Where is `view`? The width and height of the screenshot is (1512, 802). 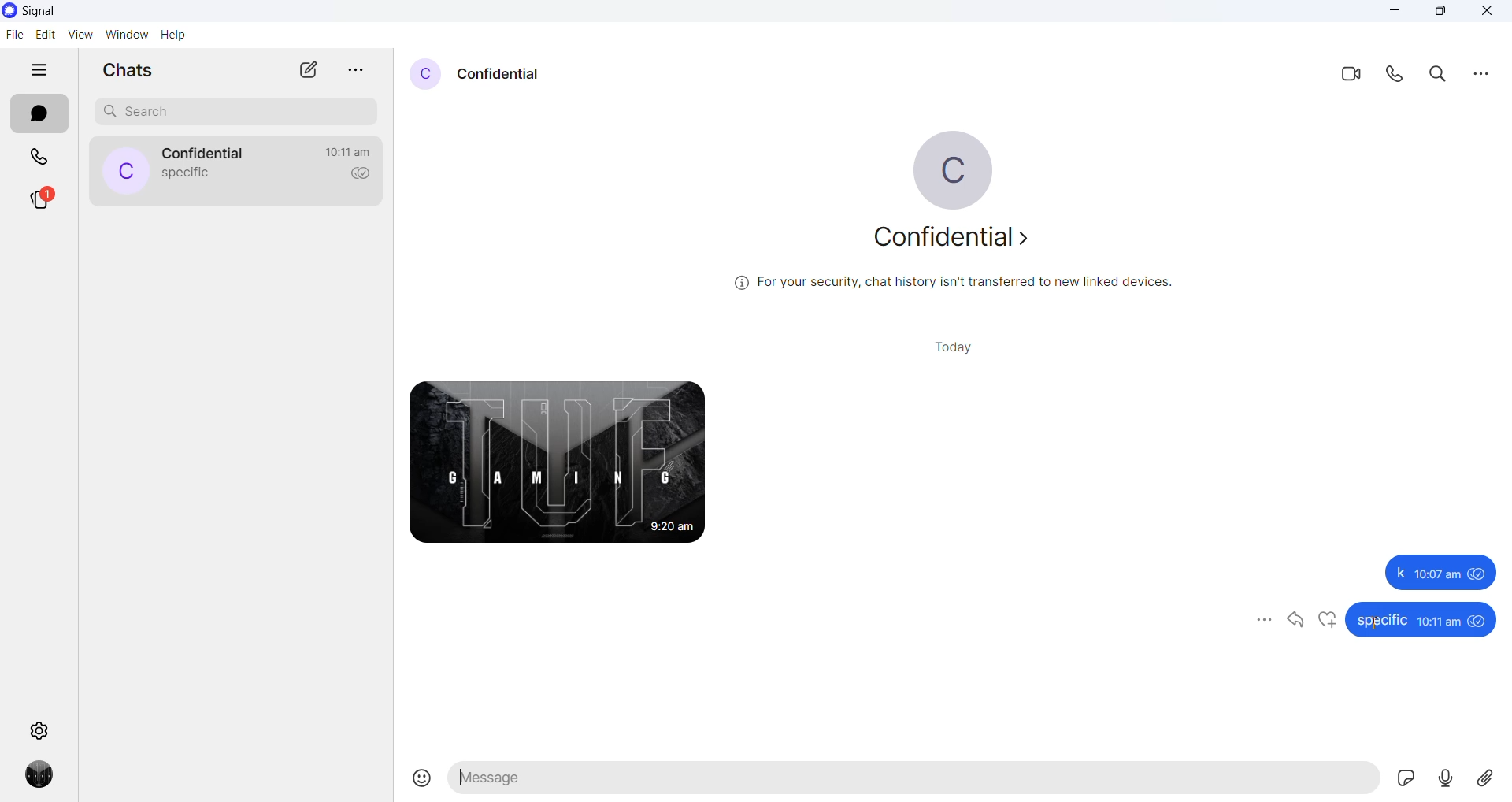
view is located at coordinates (81, 35).